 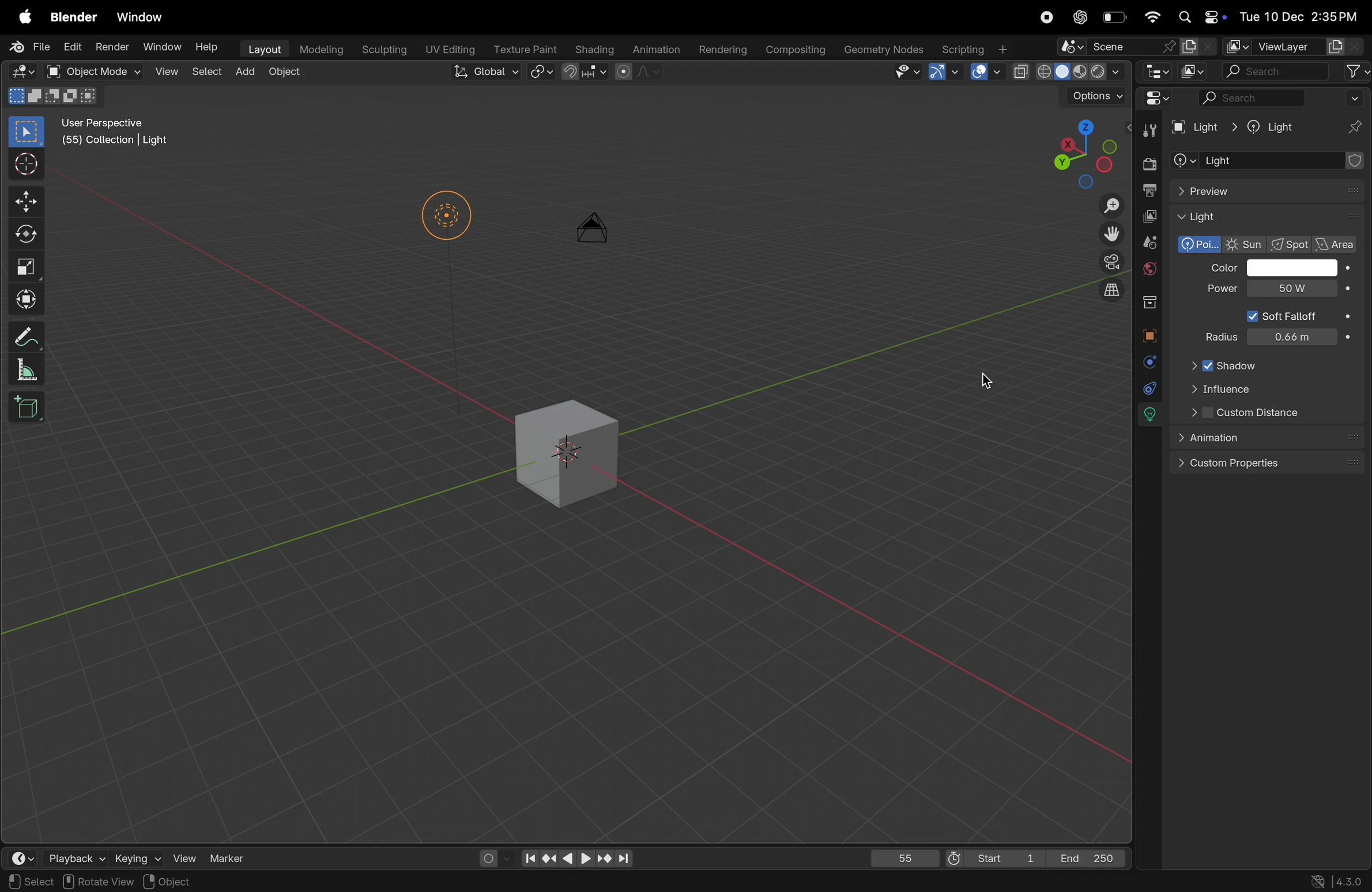 I want to click on cursor, so click(x=1296, y=288).